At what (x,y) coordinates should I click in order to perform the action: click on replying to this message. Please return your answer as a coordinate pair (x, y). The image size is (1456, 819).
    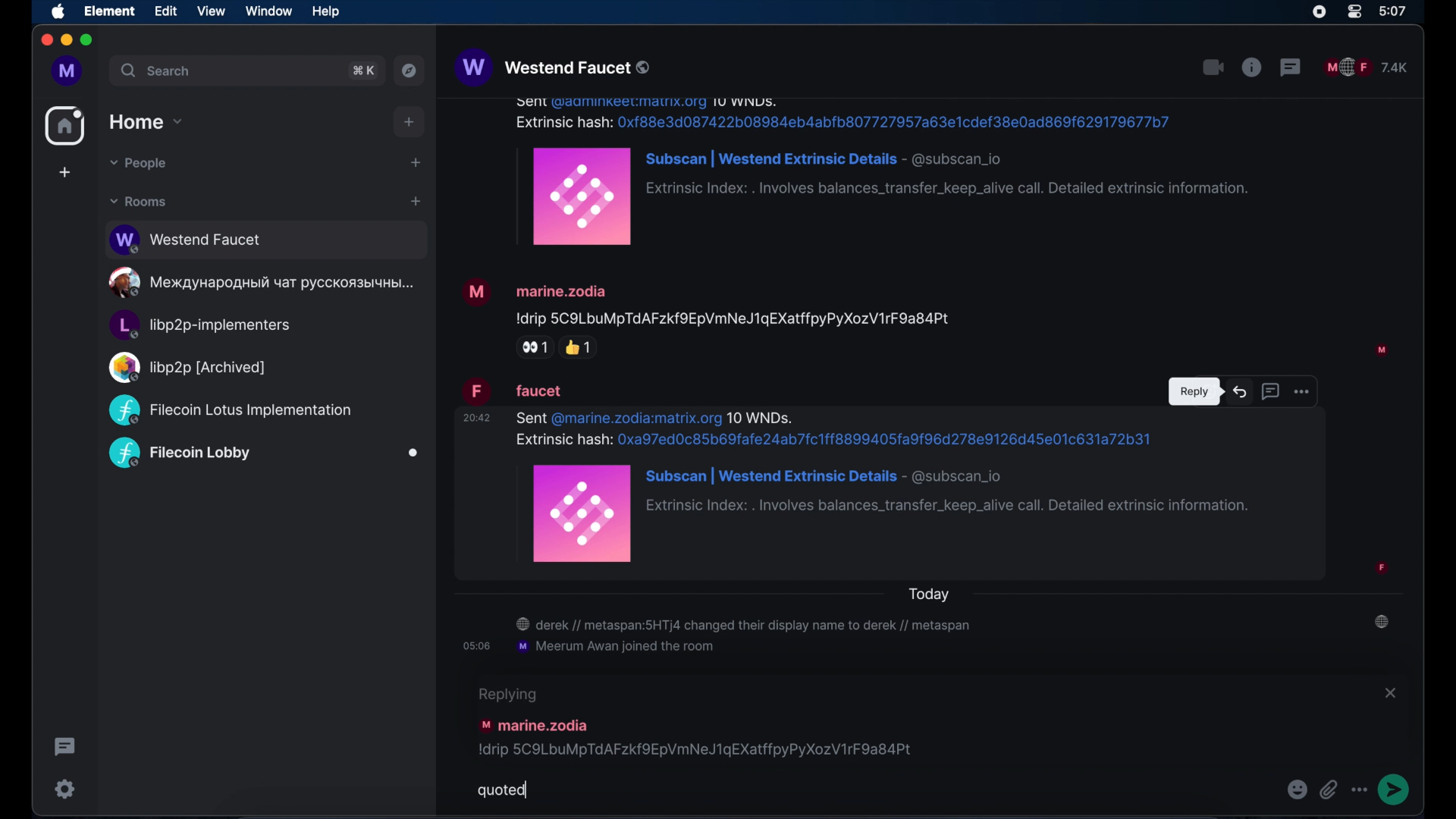
    Looking at the image, I should click on (698, 722).